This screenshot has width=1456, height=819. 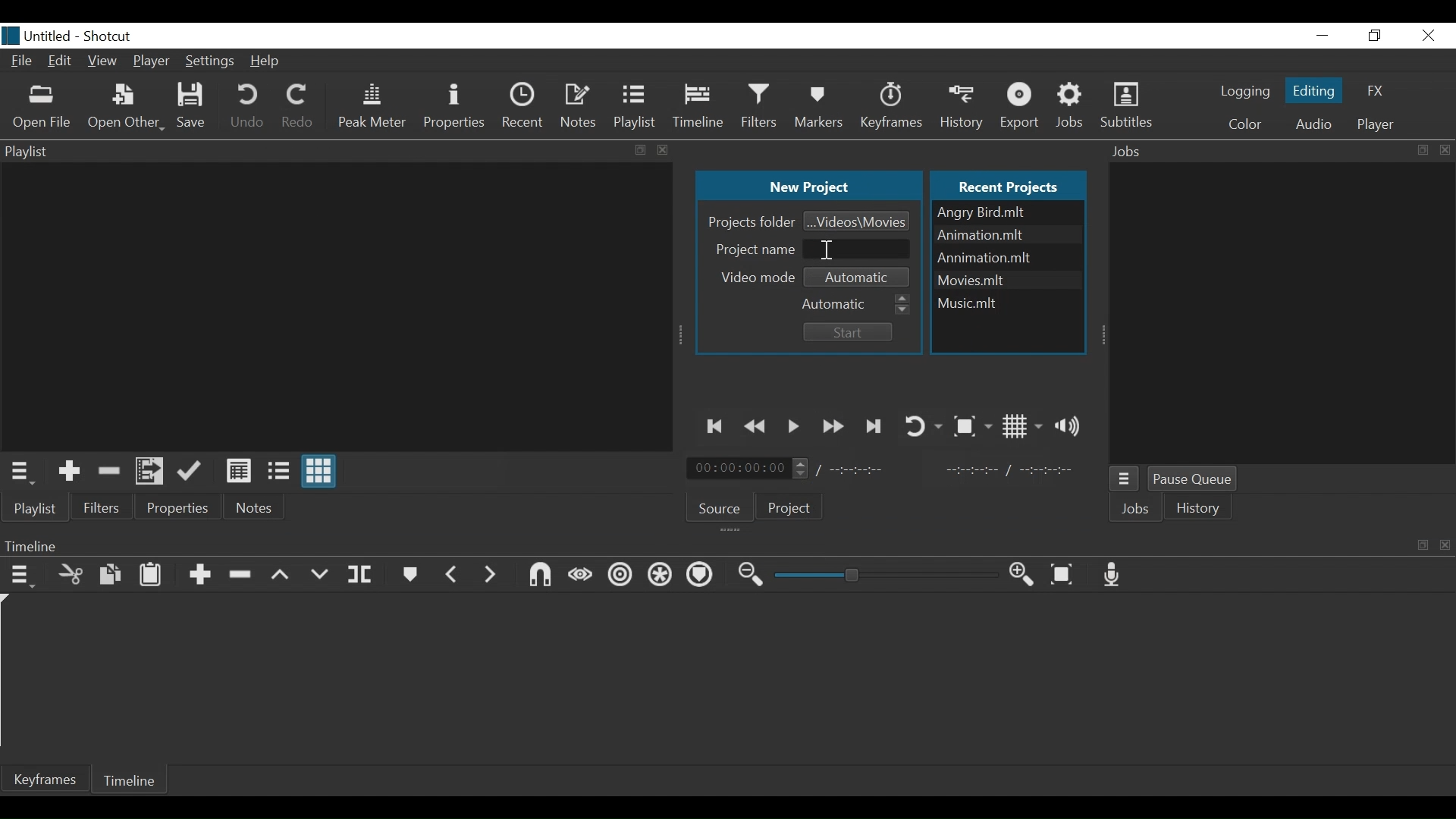 I want to click on View as icons, so click(x=321, y=473).